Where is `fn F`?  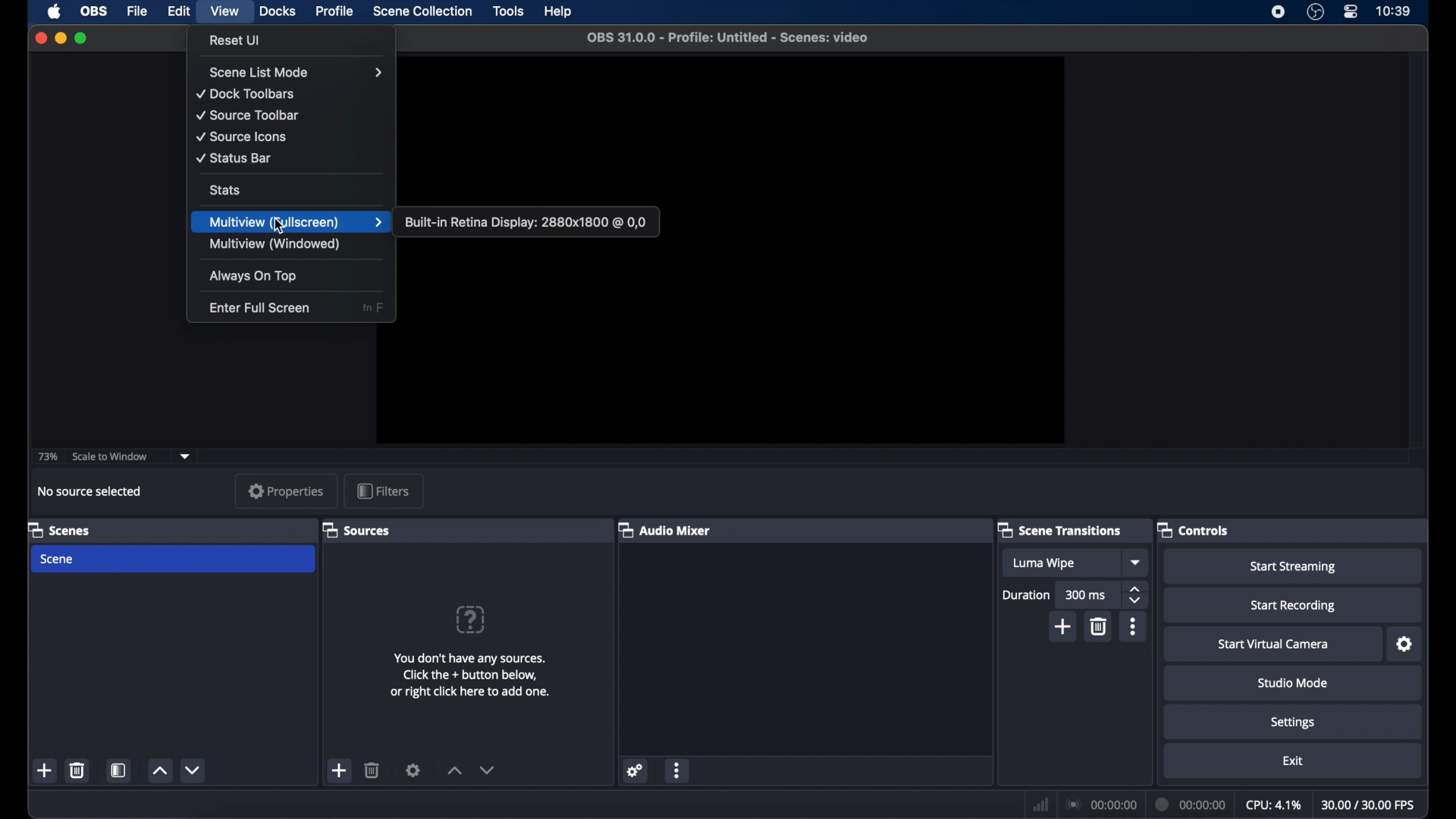 fn F is located at coordinates (375, 308).